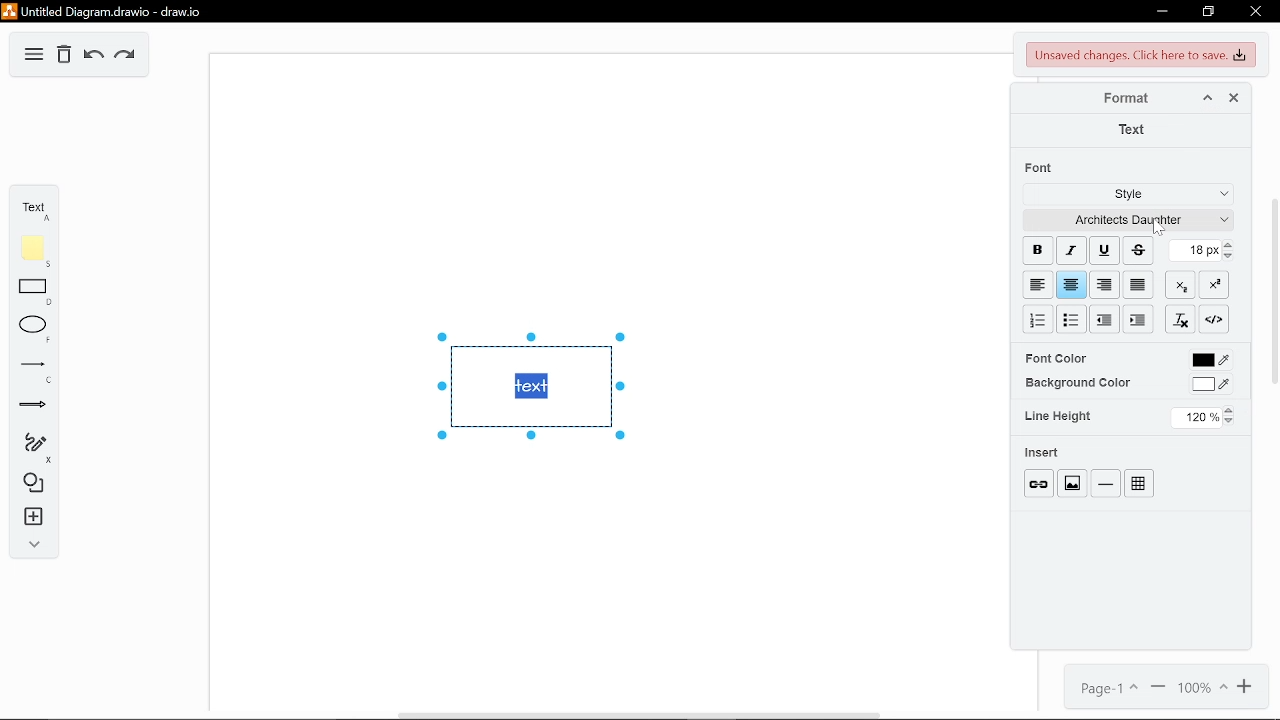  I want to click on link, so click(1038, 482).